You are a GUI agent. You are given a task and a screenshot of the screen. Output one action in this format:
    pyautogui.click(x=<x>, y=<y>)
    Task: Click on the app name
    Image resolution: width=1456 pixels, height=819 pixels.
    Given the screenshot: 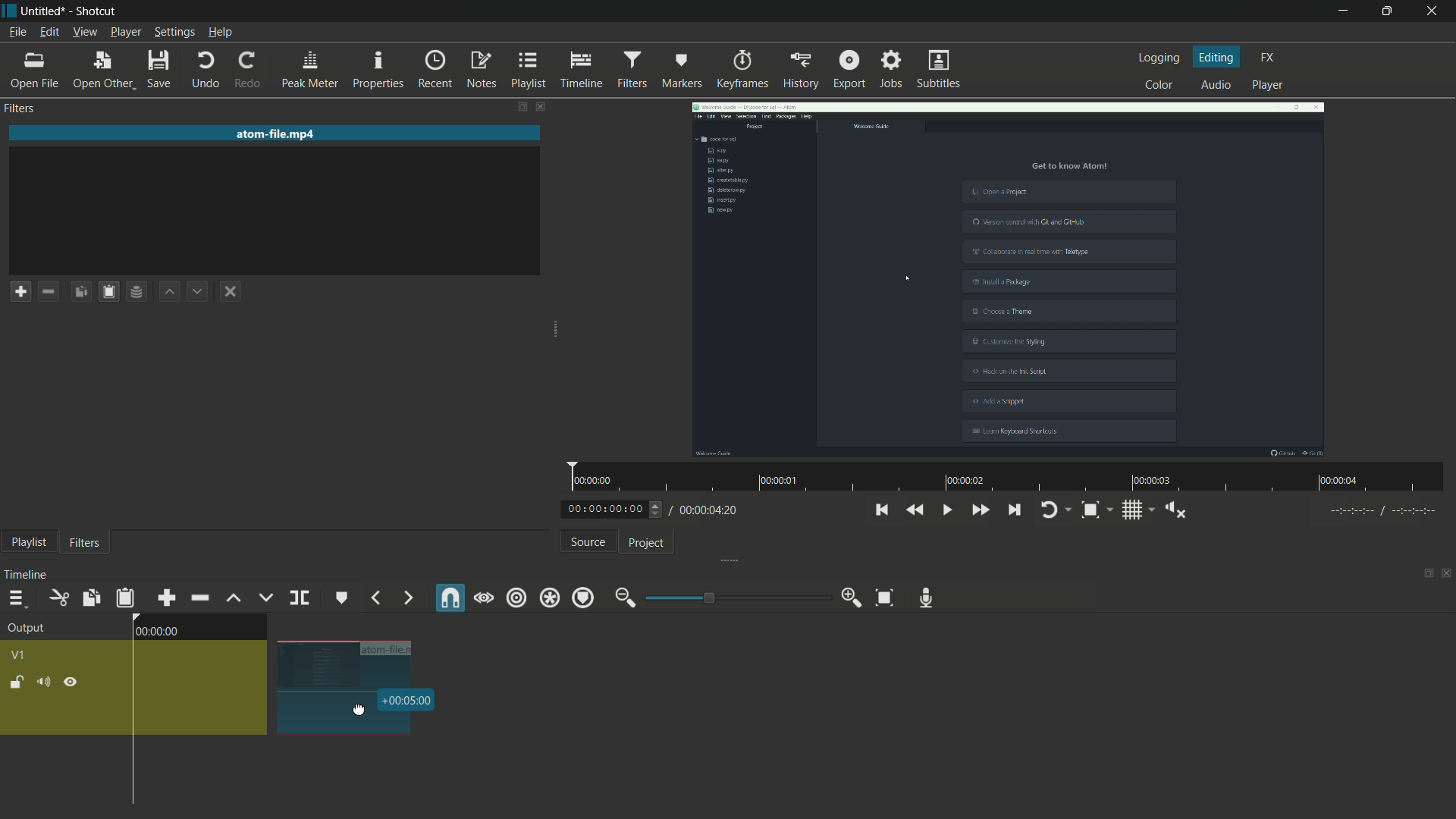 What is the action you would take?
    pyautogui.click(x=96, y=11)
    